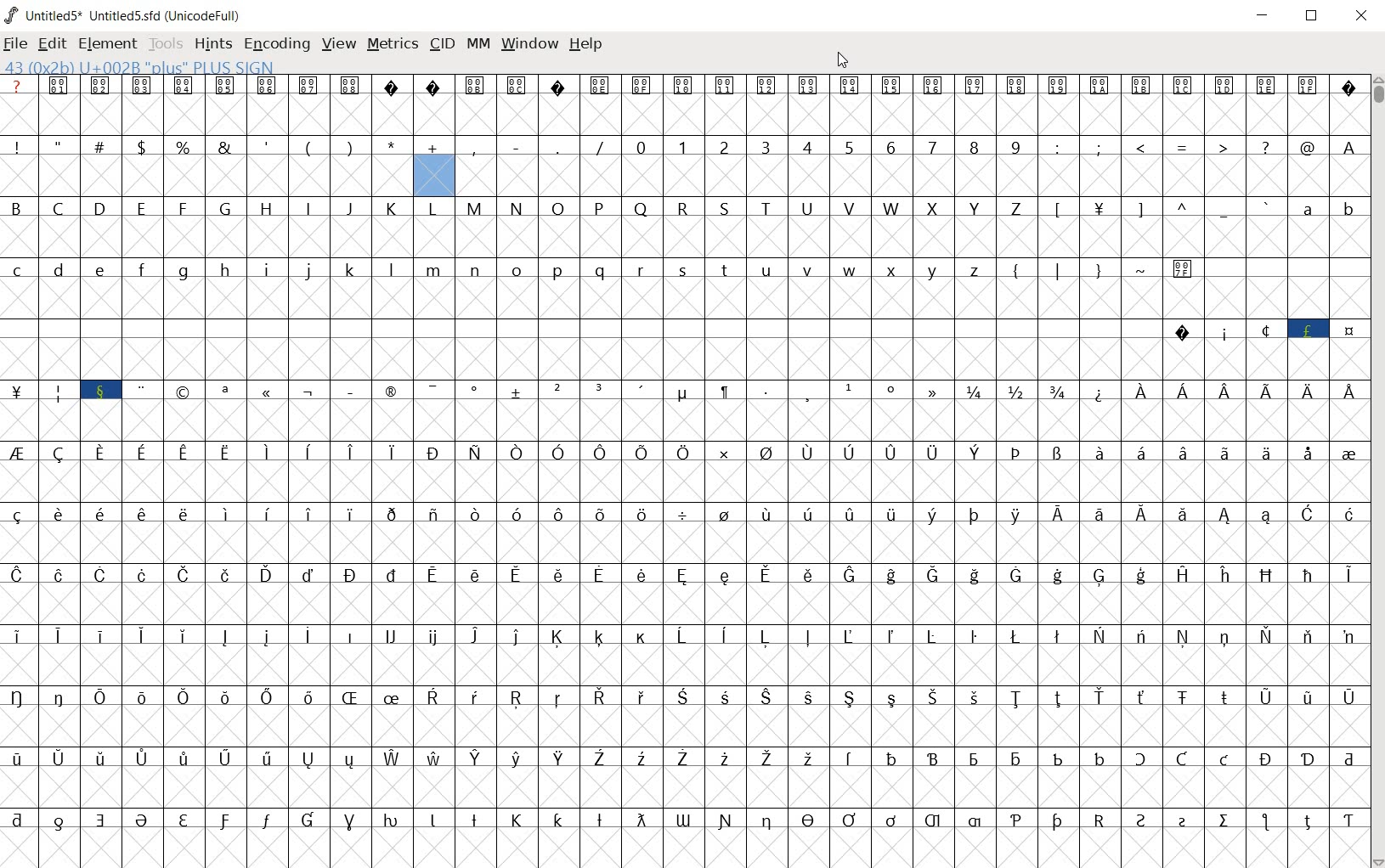 Image resolution: width=1385 pixels, height=868 pixels. Describe the element at coordinates (845, 61) in the screenshot. I see `cursor` at that location.